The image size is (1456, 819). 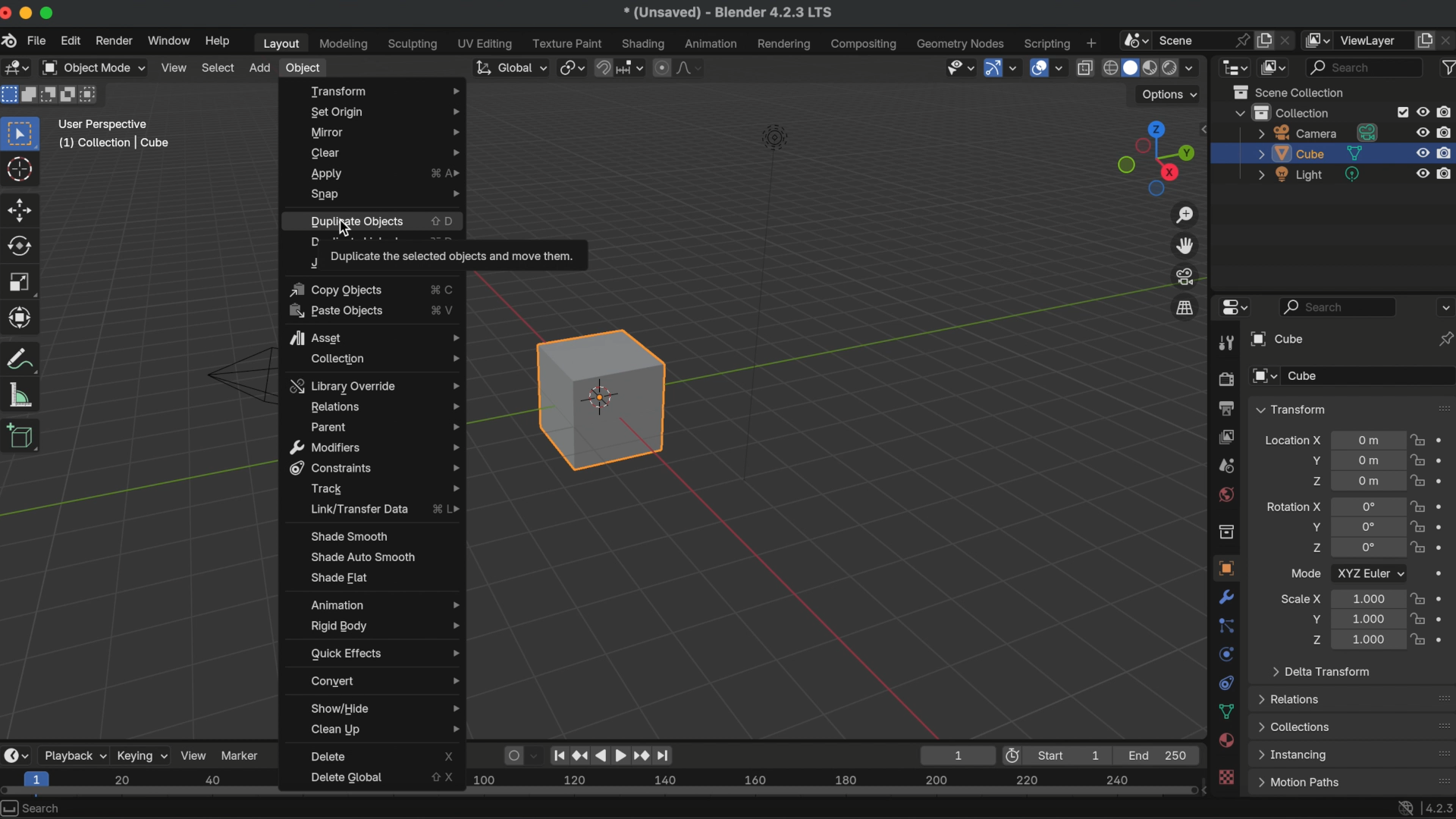 I want to click on shade flat, so click(x=340, y=579).